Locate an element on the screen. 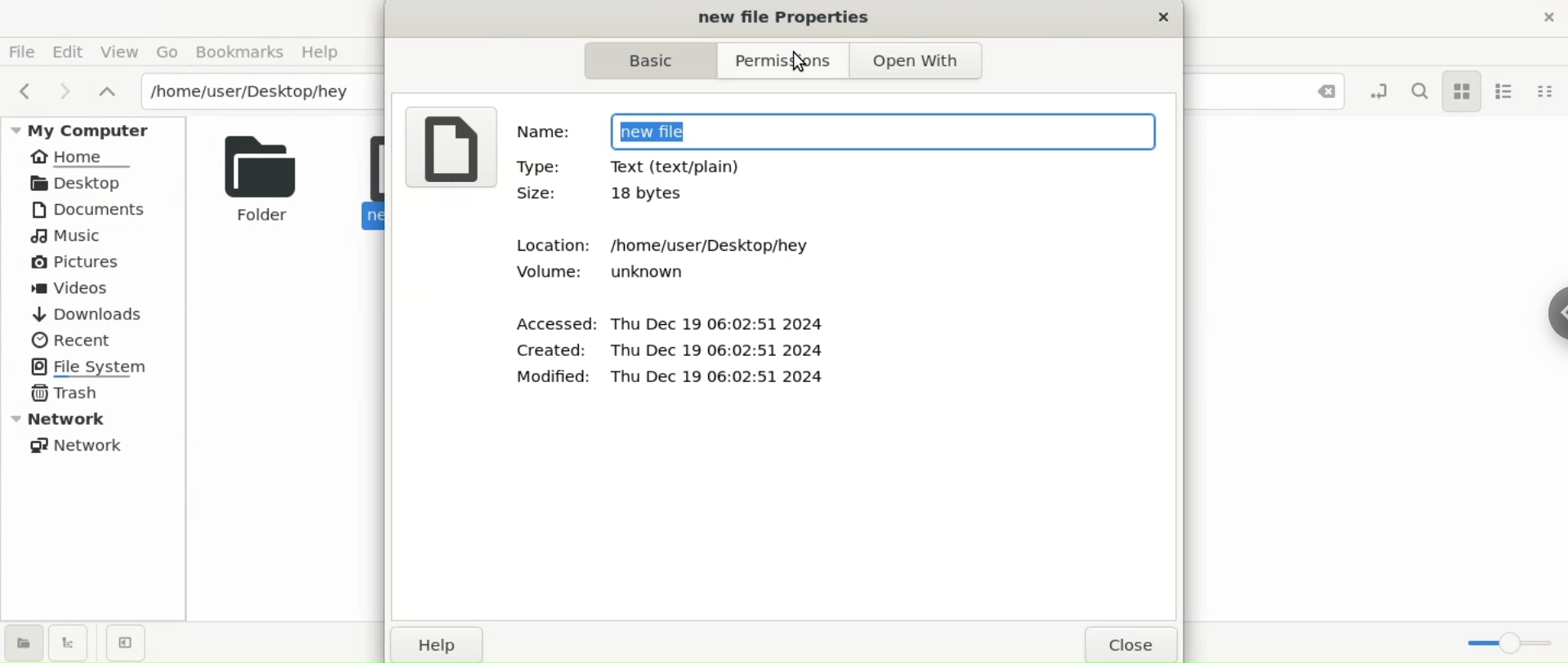  Help is located at coordinates (436, 643).